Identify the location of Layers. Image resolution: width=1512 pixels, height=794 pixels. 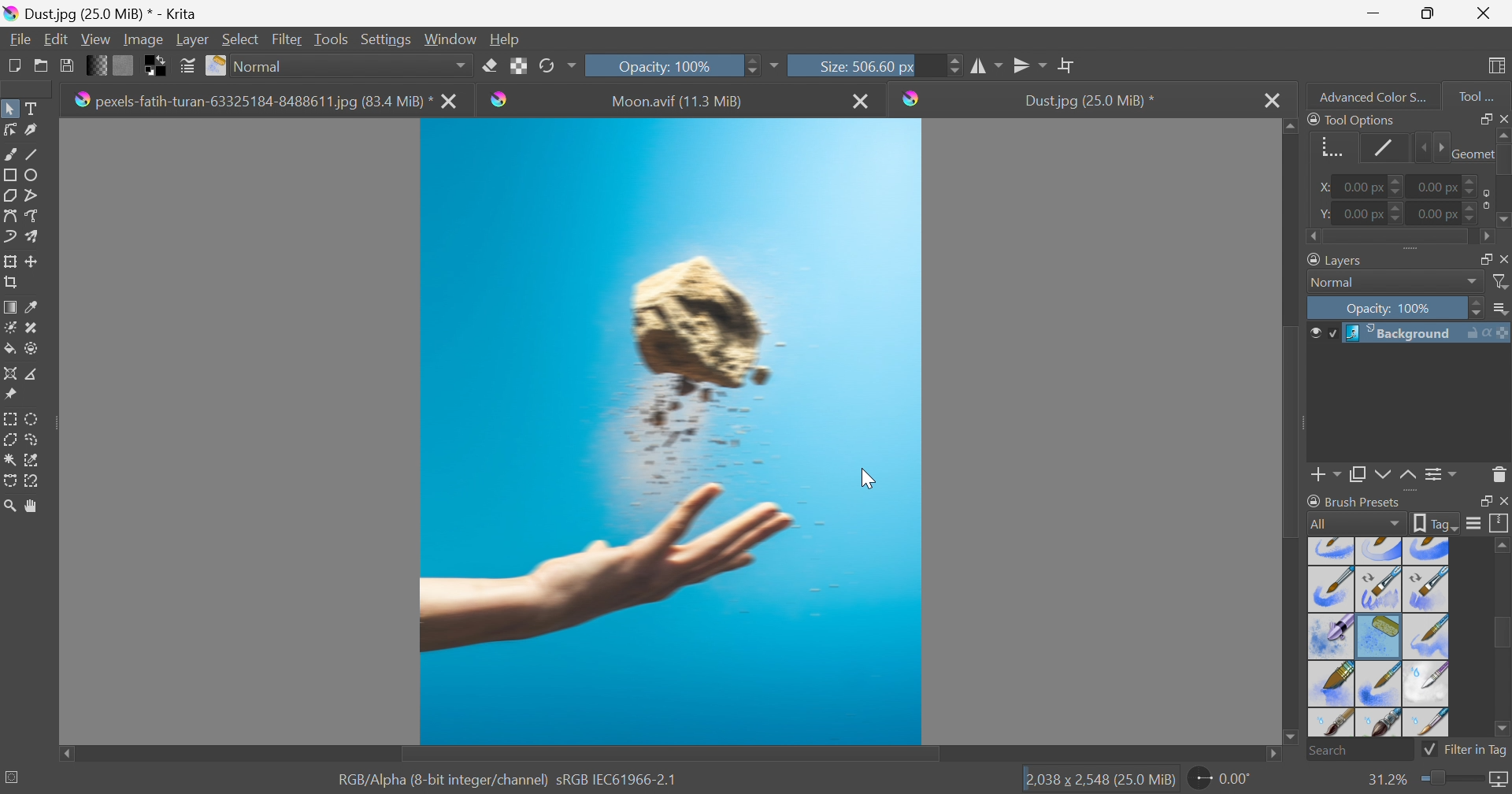
(1337, 258).